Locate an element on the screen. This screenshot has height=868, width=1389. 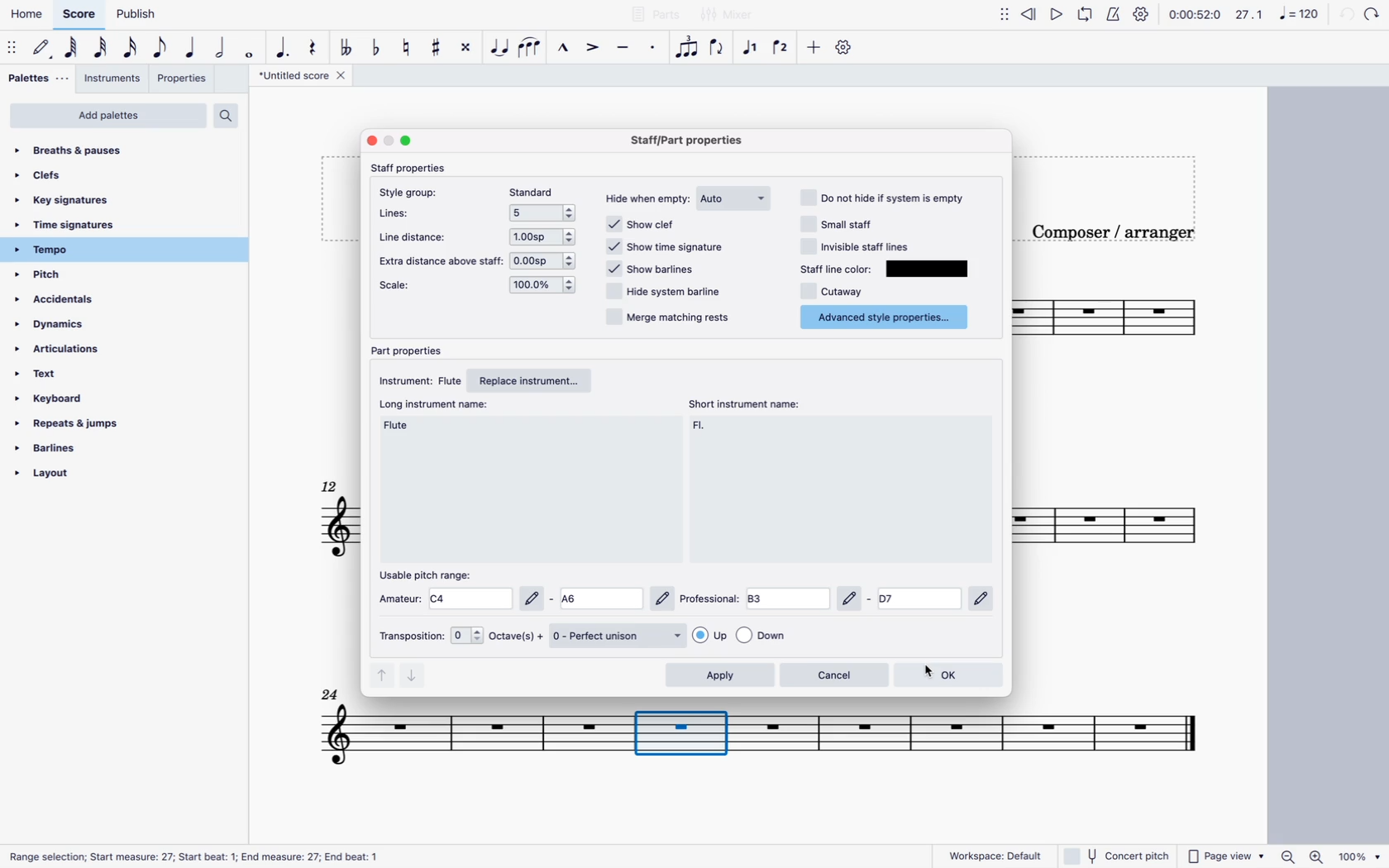
small staff is located at coordinates (846, 223).